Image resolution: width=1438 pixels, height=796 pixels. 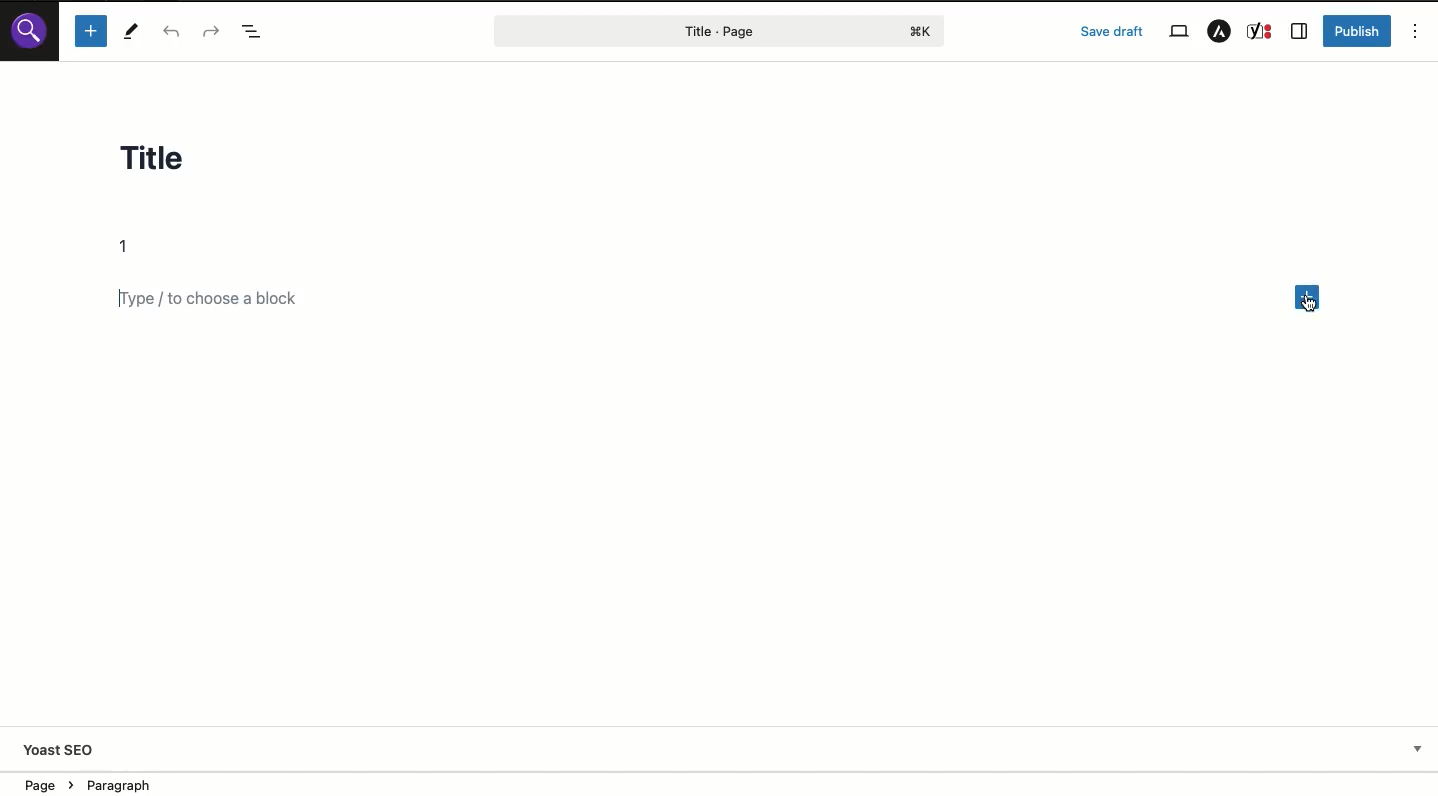 I want to click on Astar, so click(x=1219, y=32).